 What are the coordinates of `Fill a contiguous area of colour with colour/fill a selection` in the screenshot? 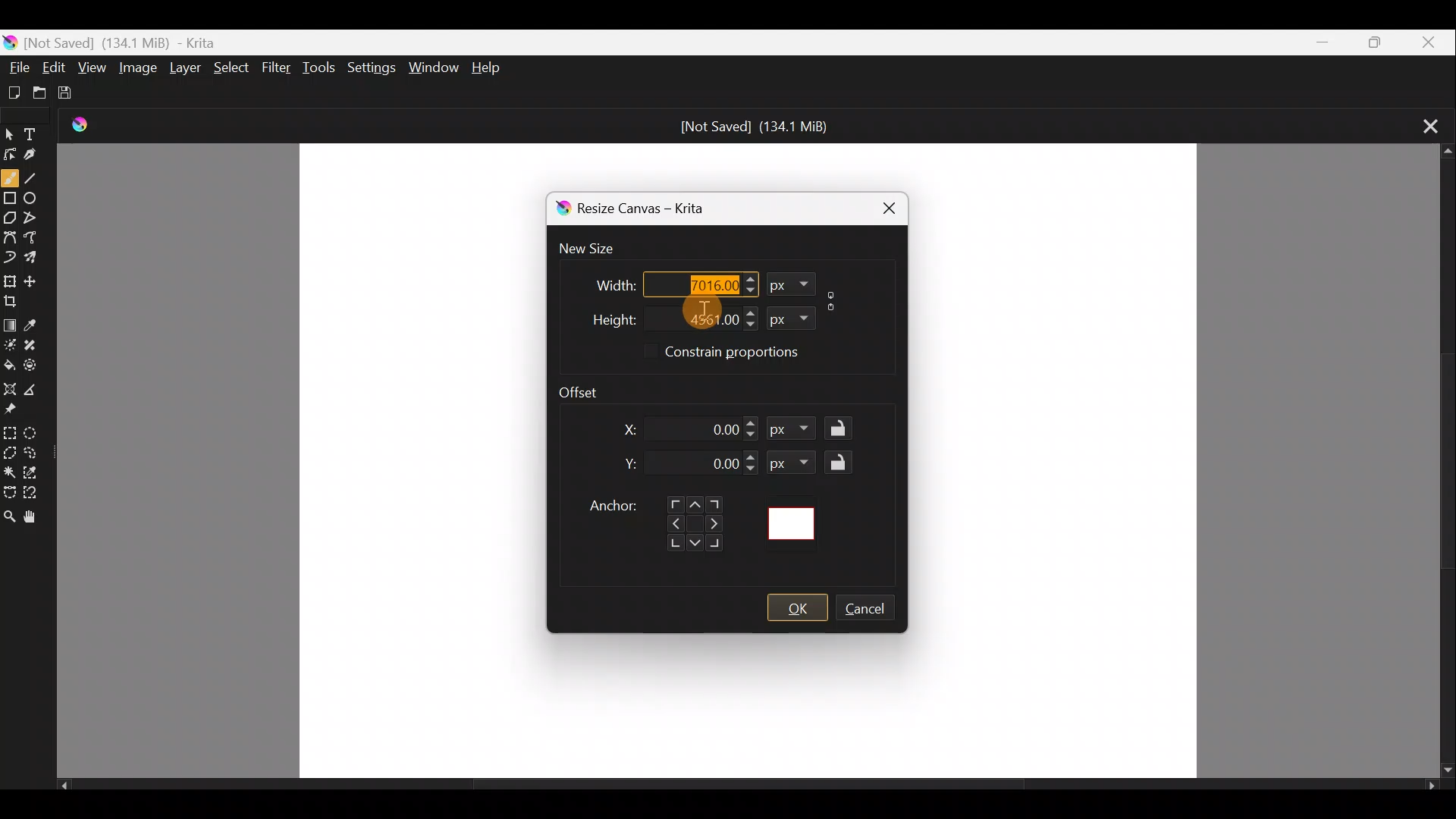 It's located at (9, 363).